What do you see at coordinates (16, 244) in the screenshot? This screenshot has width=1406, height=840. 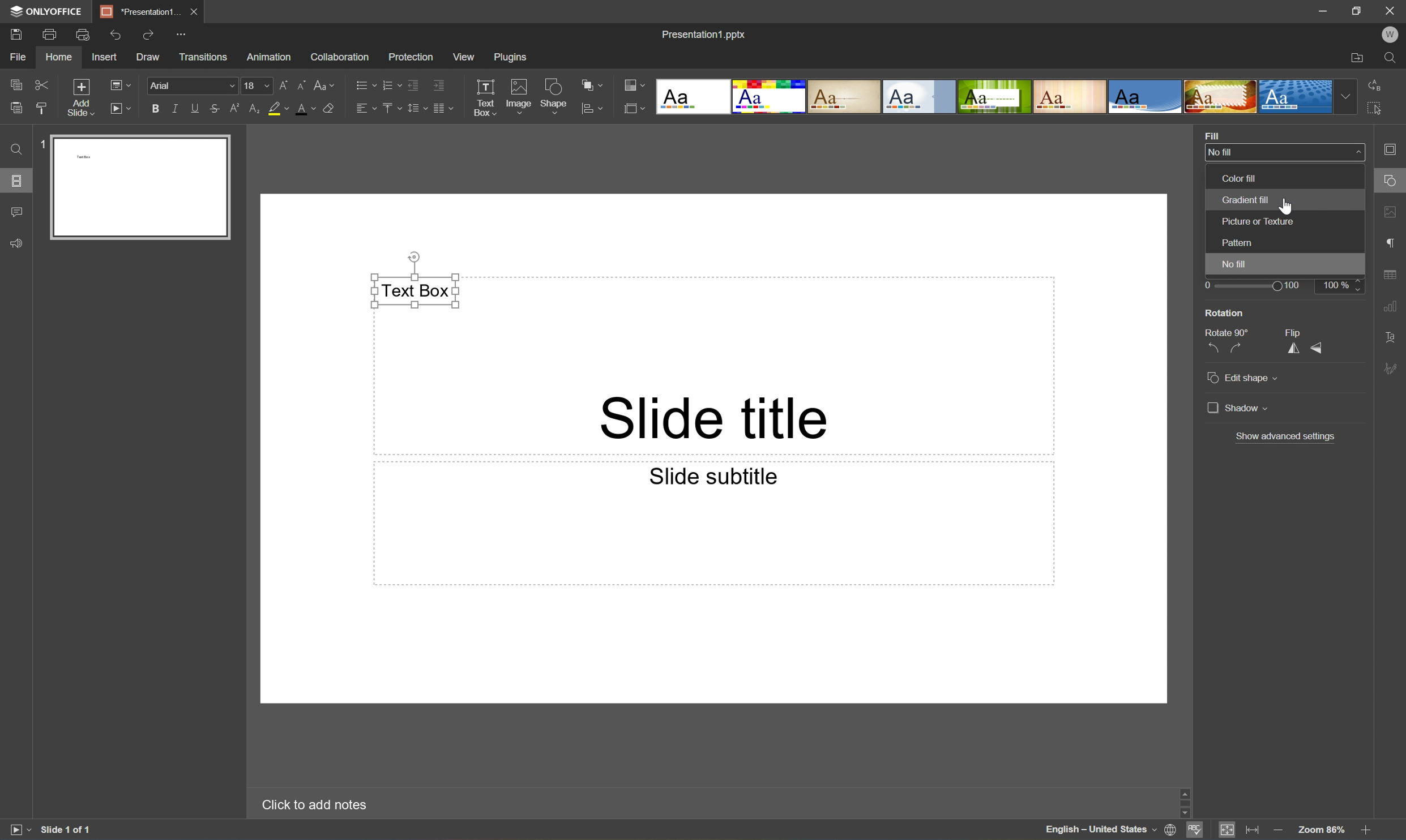 I see `Feedback & Support` at bounding box center [16, 244].